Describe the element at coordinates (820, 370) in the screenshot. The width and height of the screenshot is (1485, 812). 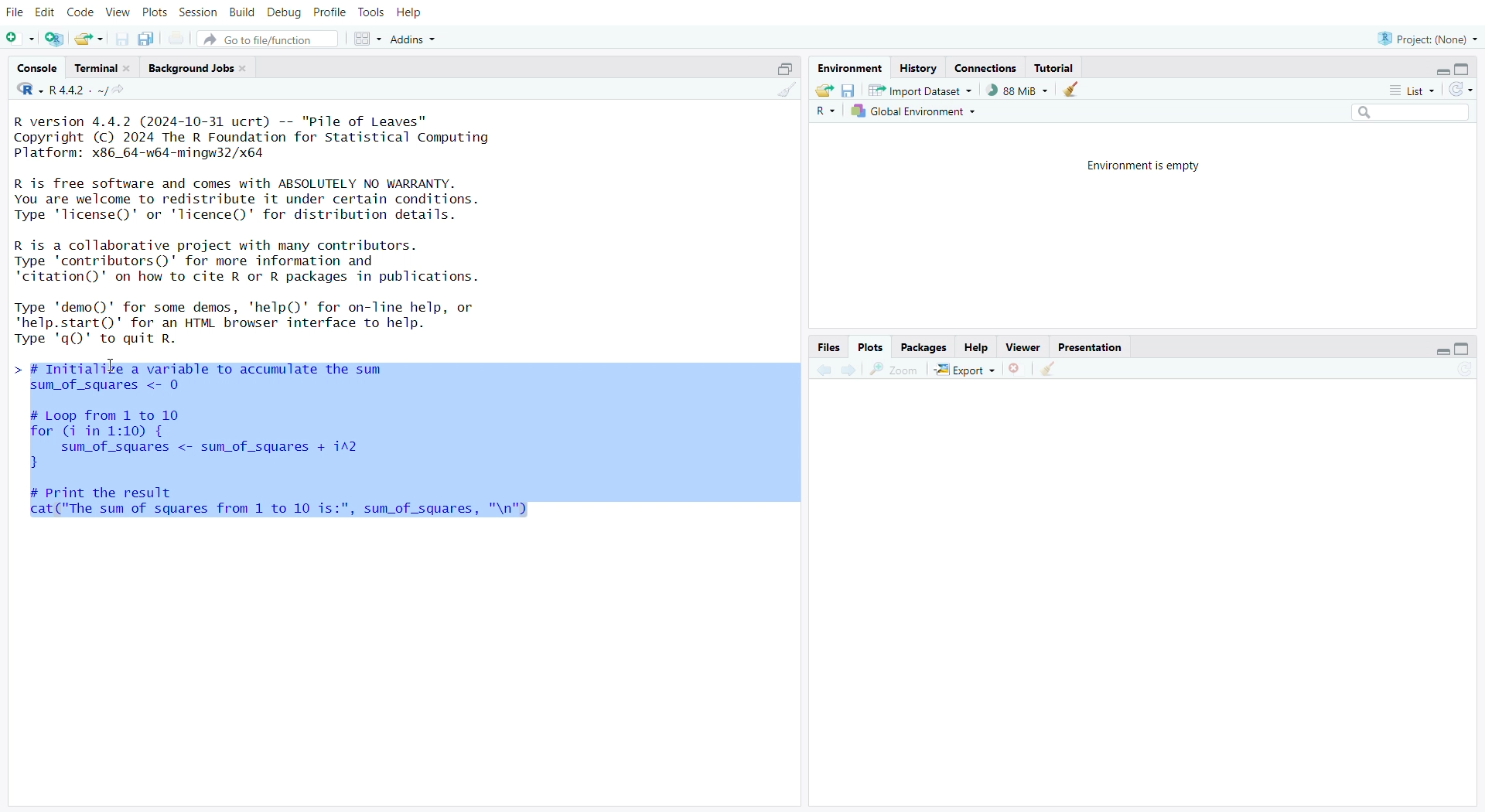
I see `backward` at that location.